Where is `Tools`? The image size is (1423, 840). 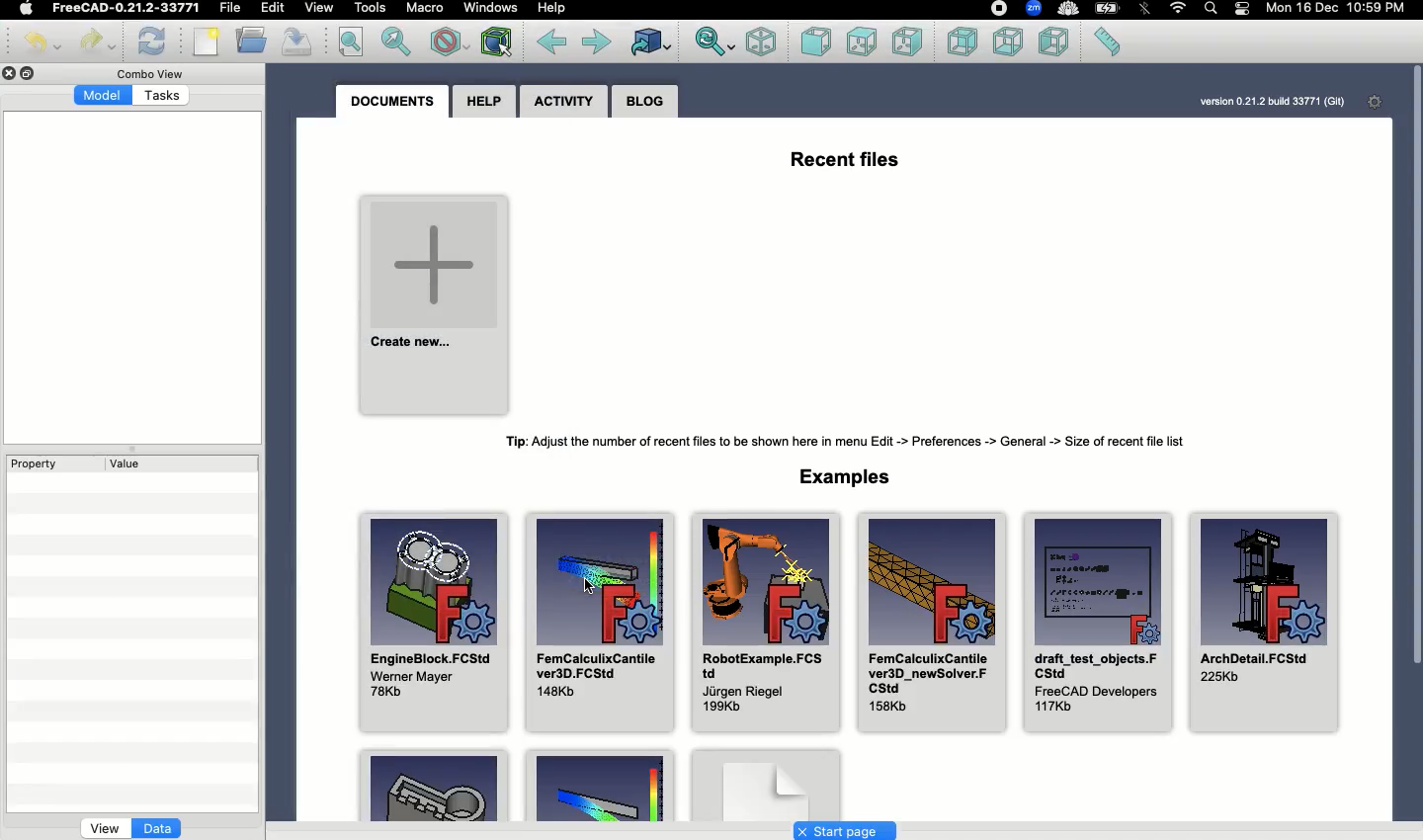 Tools is located at coordinates (372, 8).